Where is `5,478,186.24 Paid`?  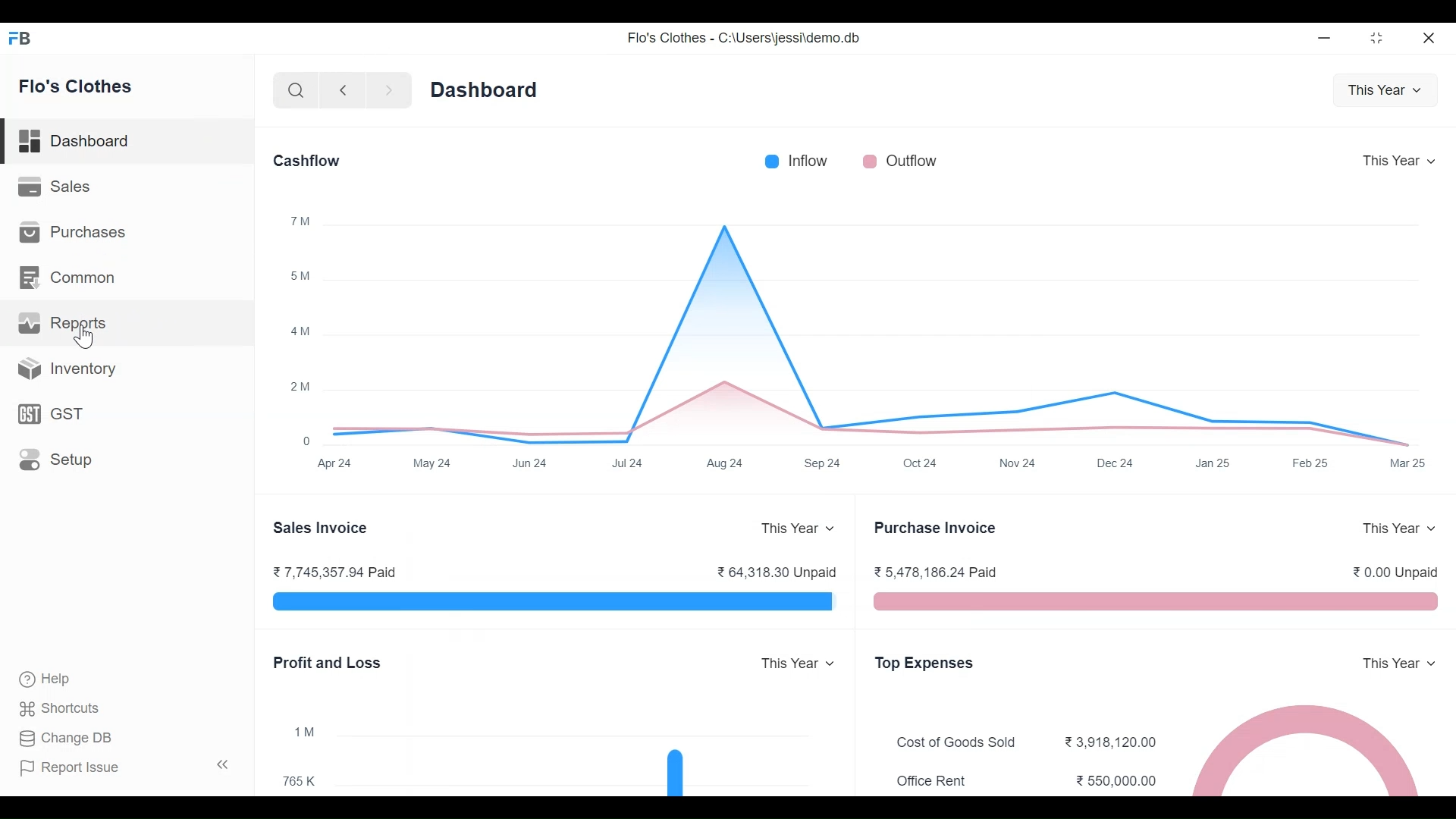
5,478,186.24 Paid is located at coordinates (936, 572).